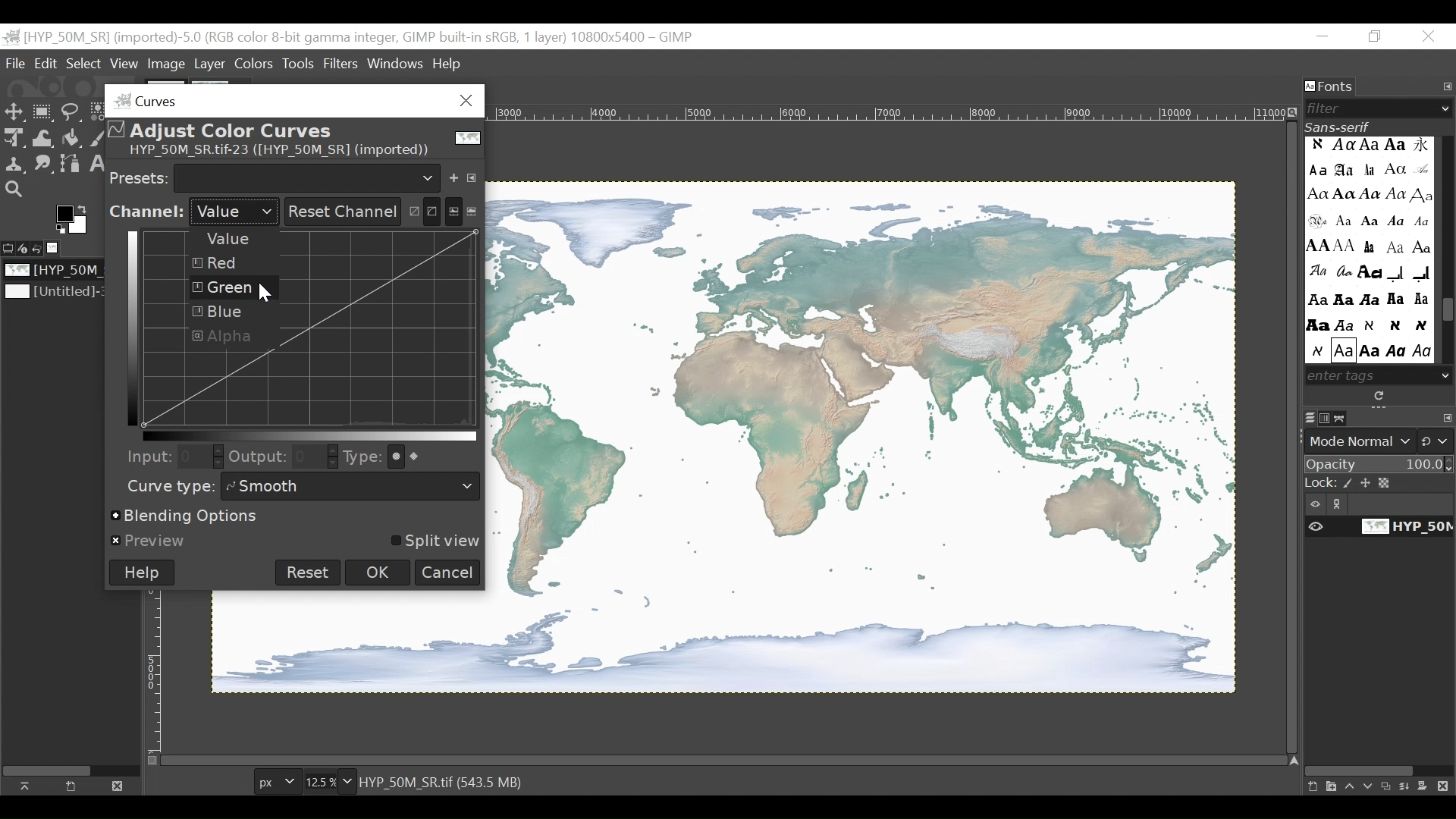  Describe the element at coordinates (29, 786) in the screenshot. I see `Raise this image display` at that location.